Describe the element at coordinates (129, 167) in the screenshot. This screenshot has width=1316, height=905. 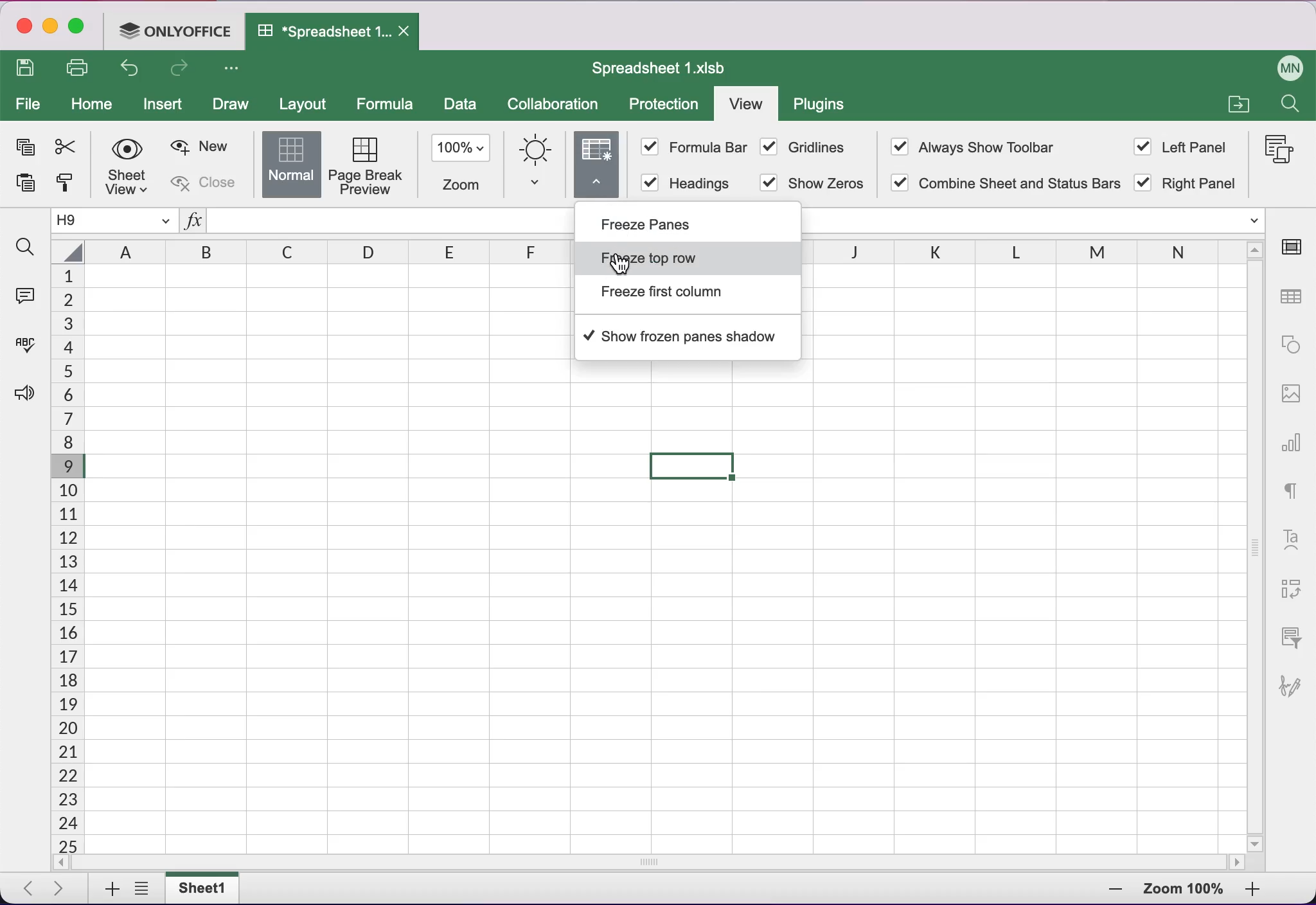
I see `sheetview` at that location.